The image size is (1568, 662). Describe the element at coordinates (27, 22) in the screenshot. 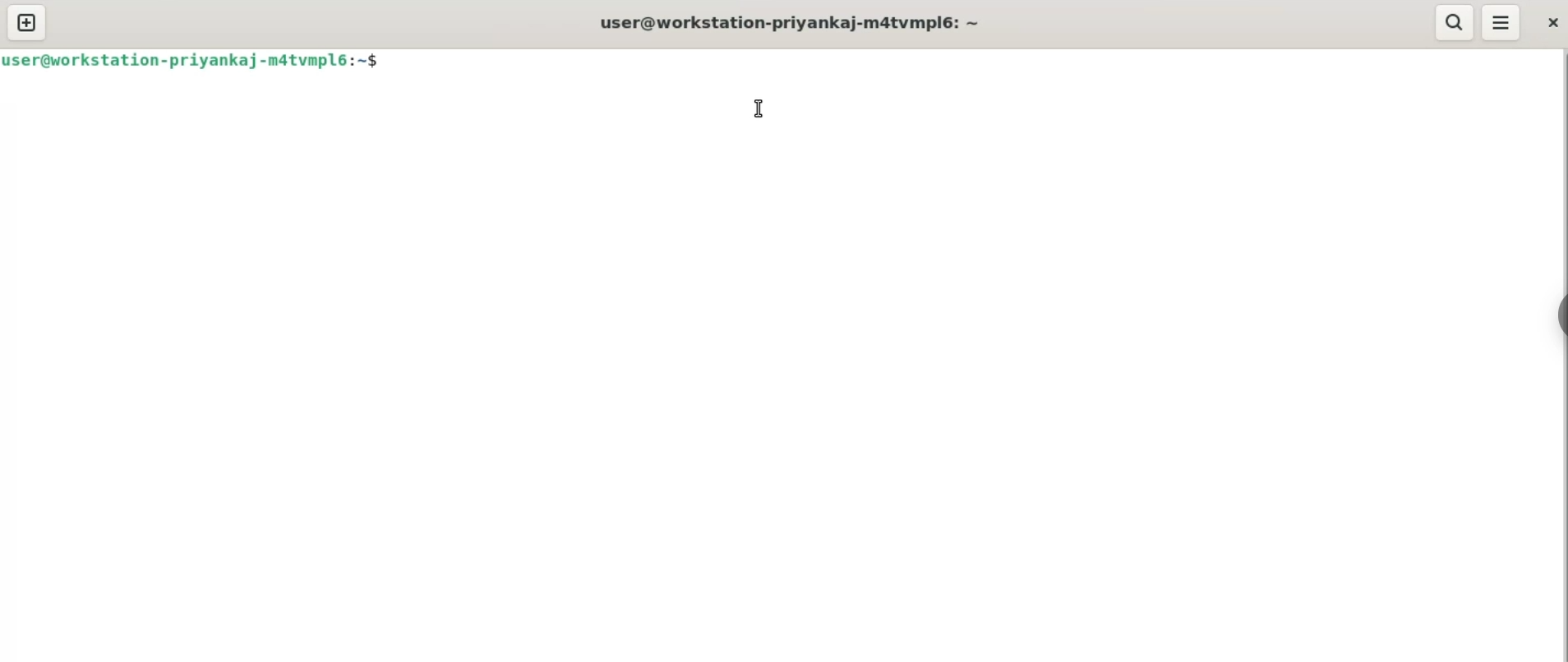

I see `new tab` at that location.